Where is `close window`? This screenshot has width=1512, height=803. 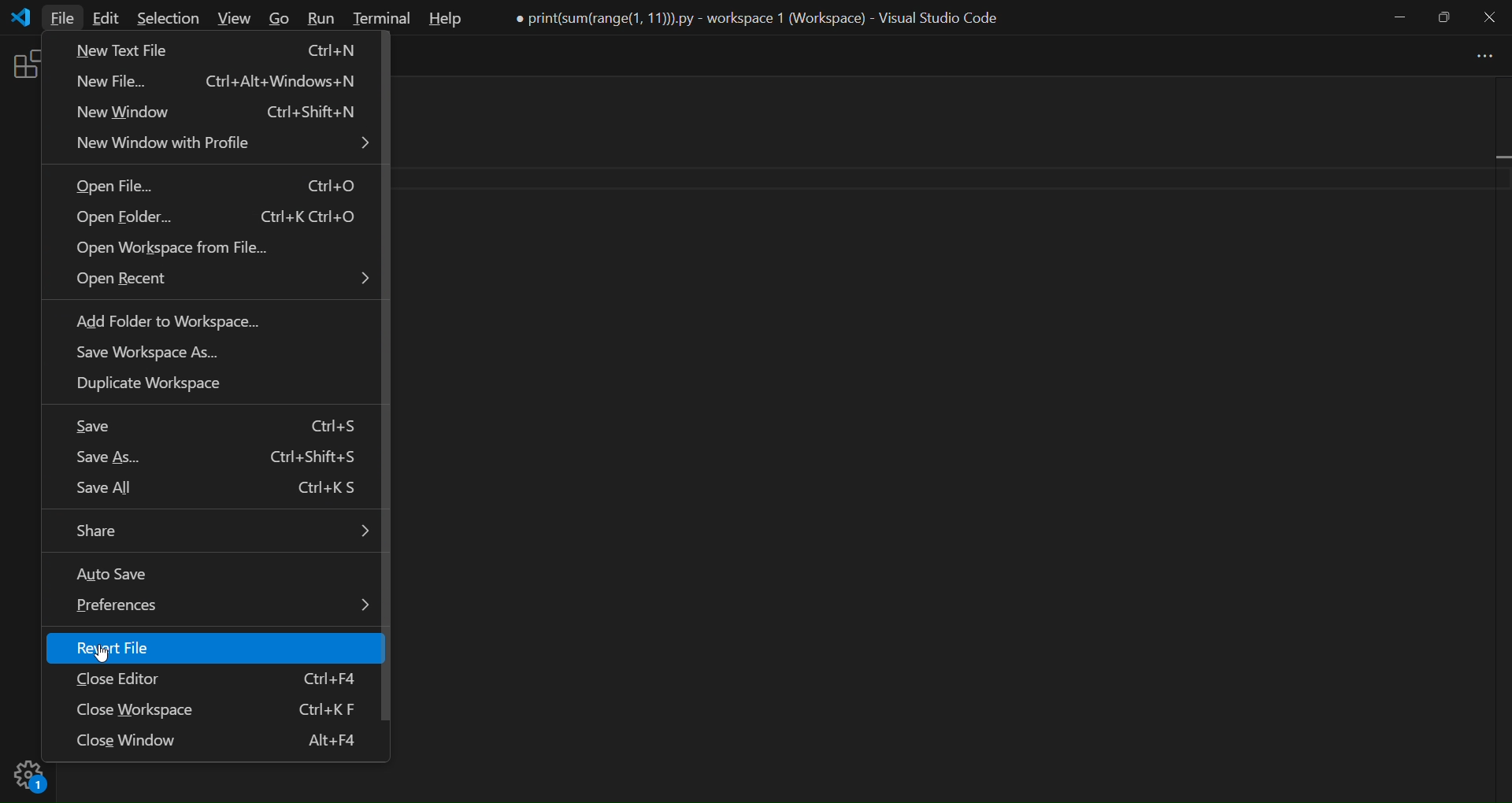 close window is located at coordinates (224, 742).